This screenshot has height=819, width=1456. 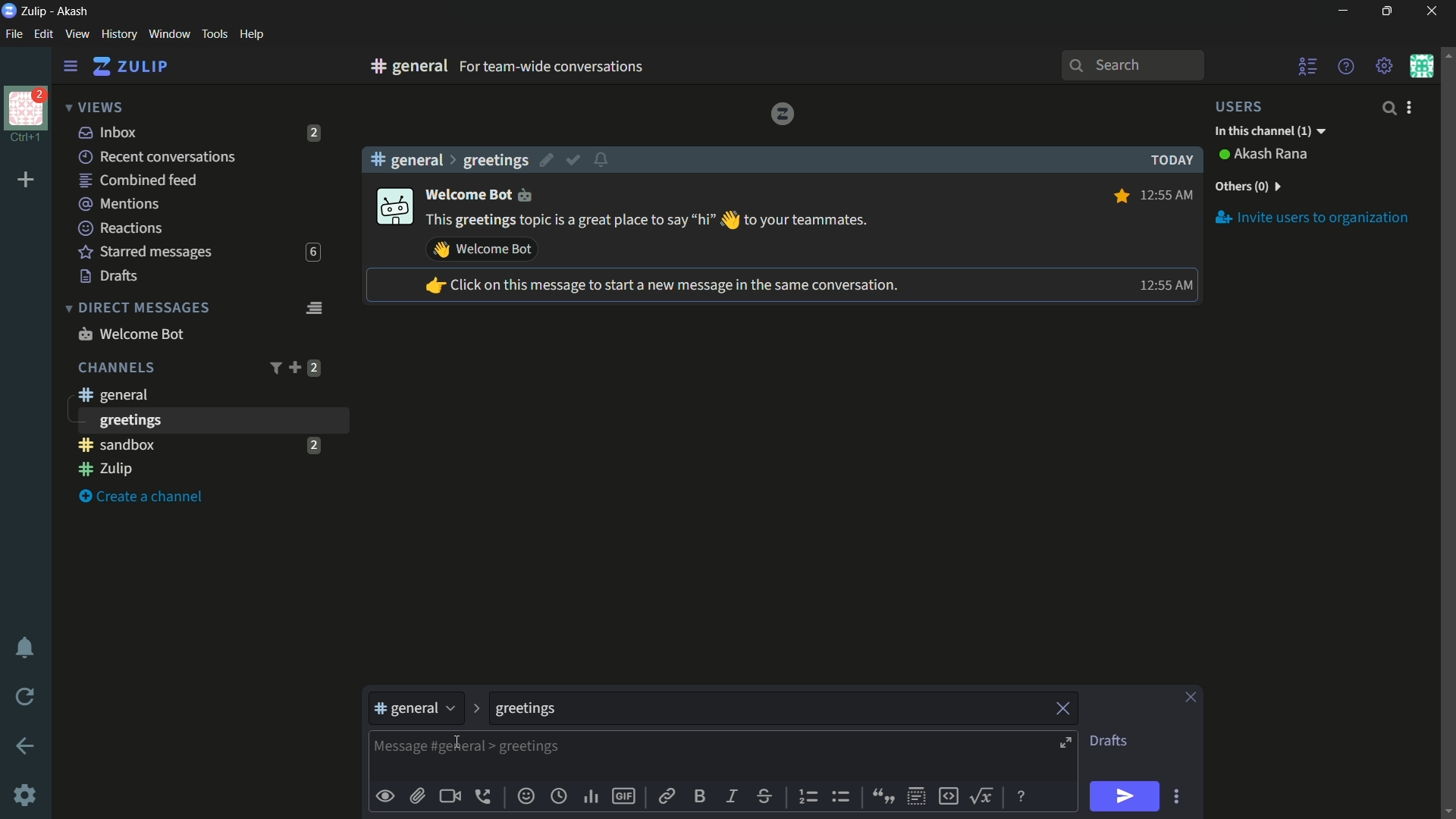 What do you see at coordinates (108, 132) in the screenshot?
I see `inbox` at bounding box center [108, 132].